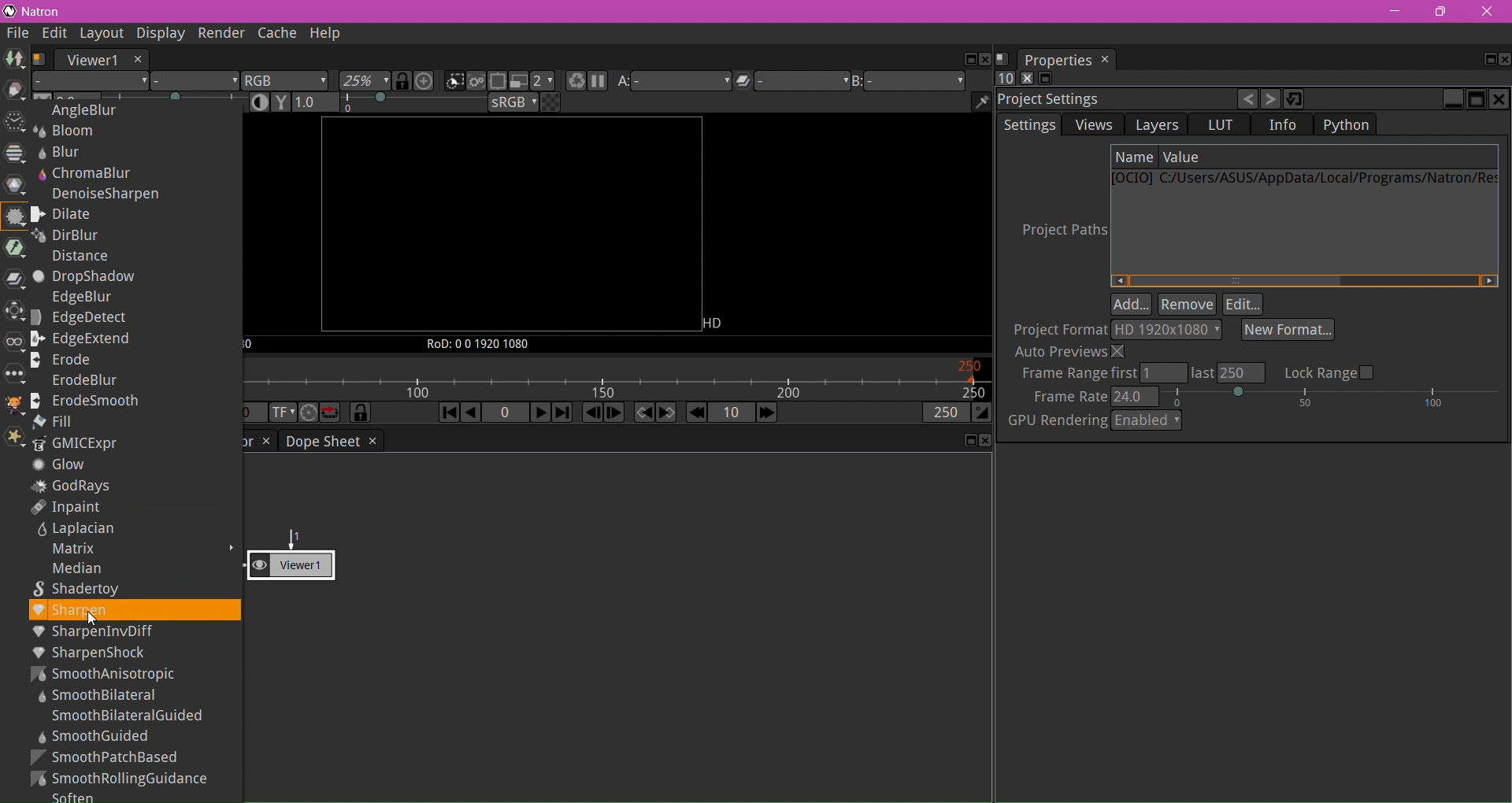 Image resolution: width=1512 pixels, height=803 pixels. Describe the element at coordinates (613, 413) in the screenshot. I see `Next frame` at that location.